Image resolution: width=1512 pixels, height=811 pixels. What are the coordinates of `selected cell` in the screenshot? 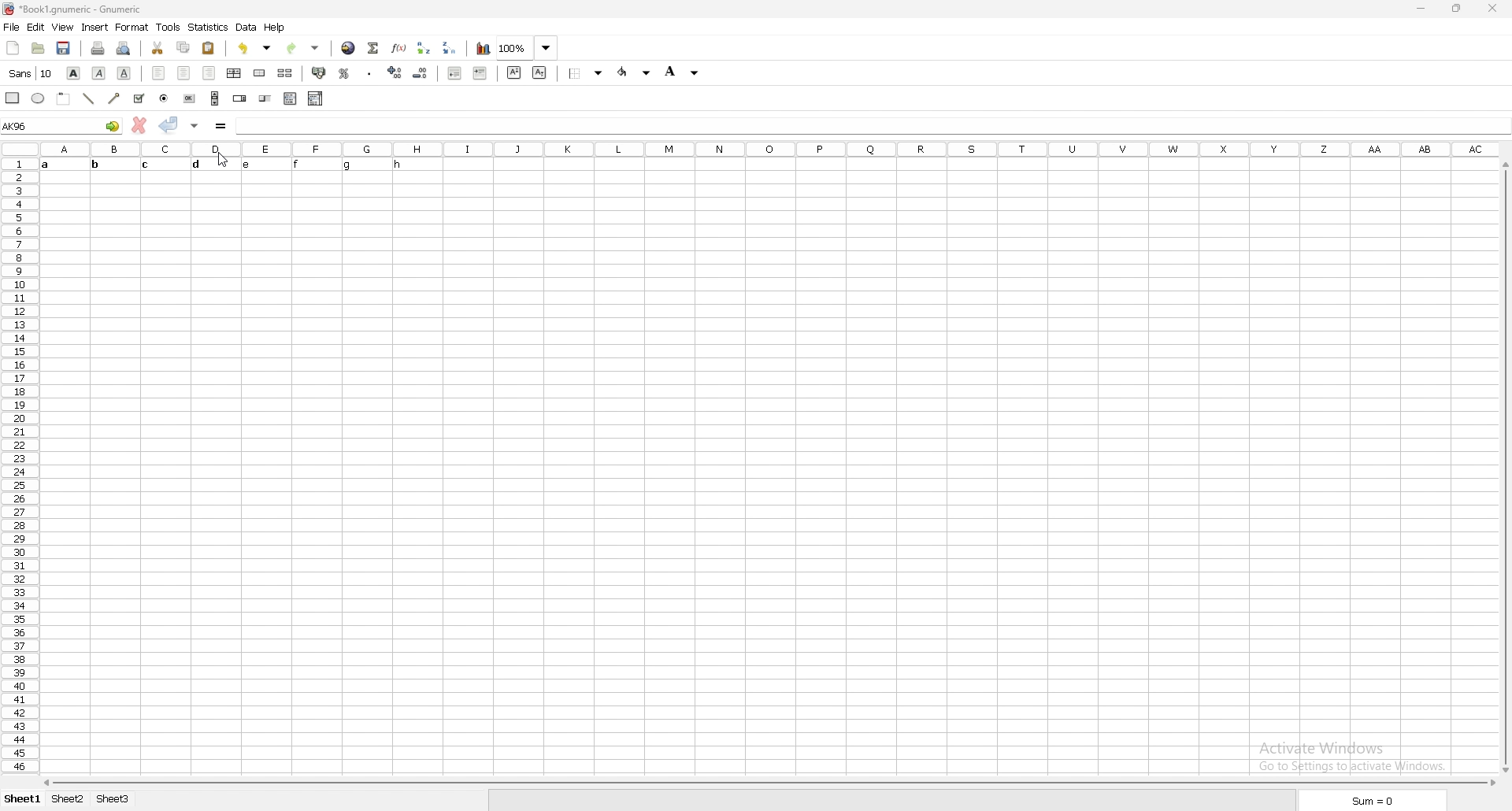 It's located at (62, 126).